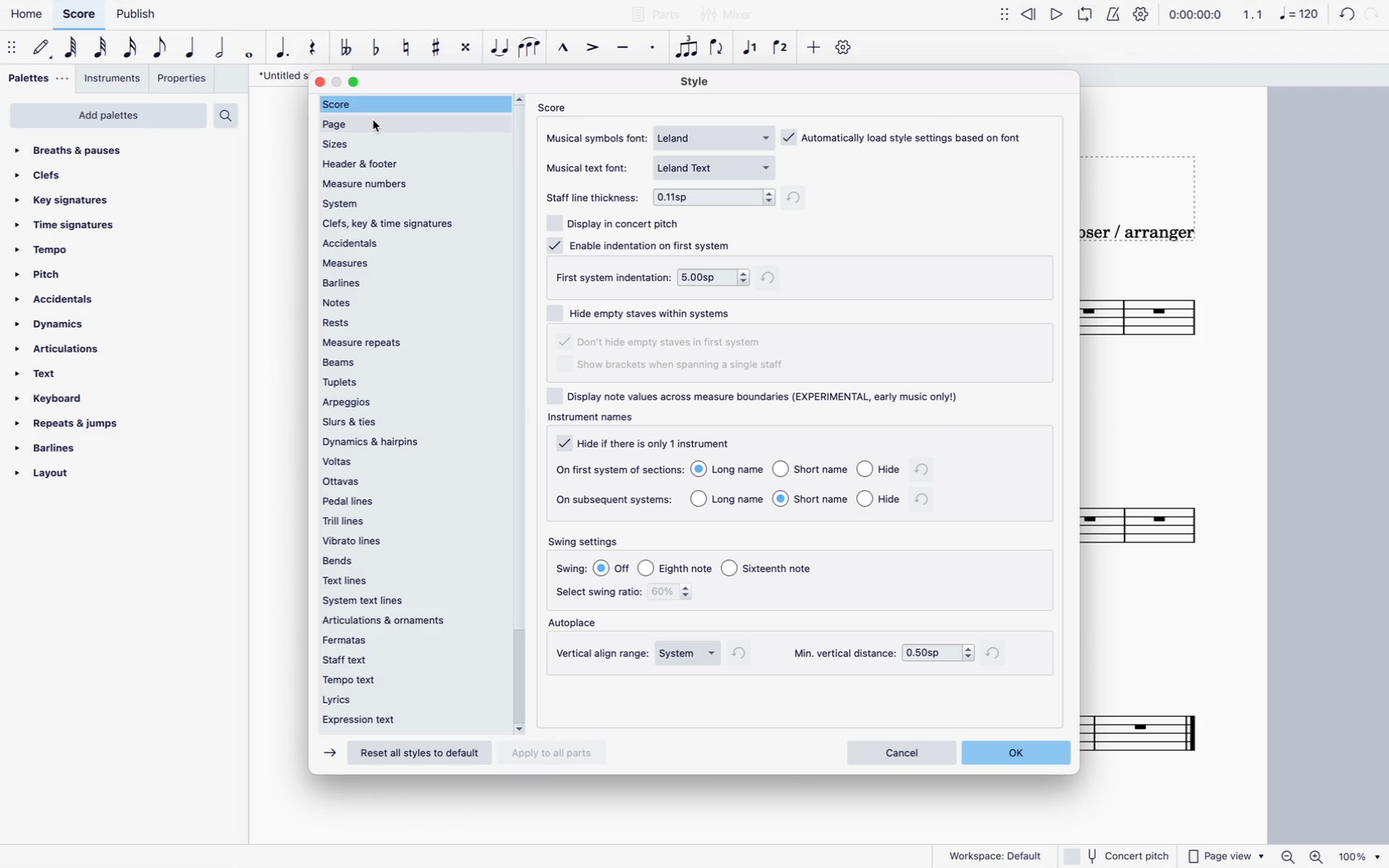 The height and width of the screenshot is (868, 1389). Describe the element at coordinates (795, 468) in the screenshot. I see `options` at that location.